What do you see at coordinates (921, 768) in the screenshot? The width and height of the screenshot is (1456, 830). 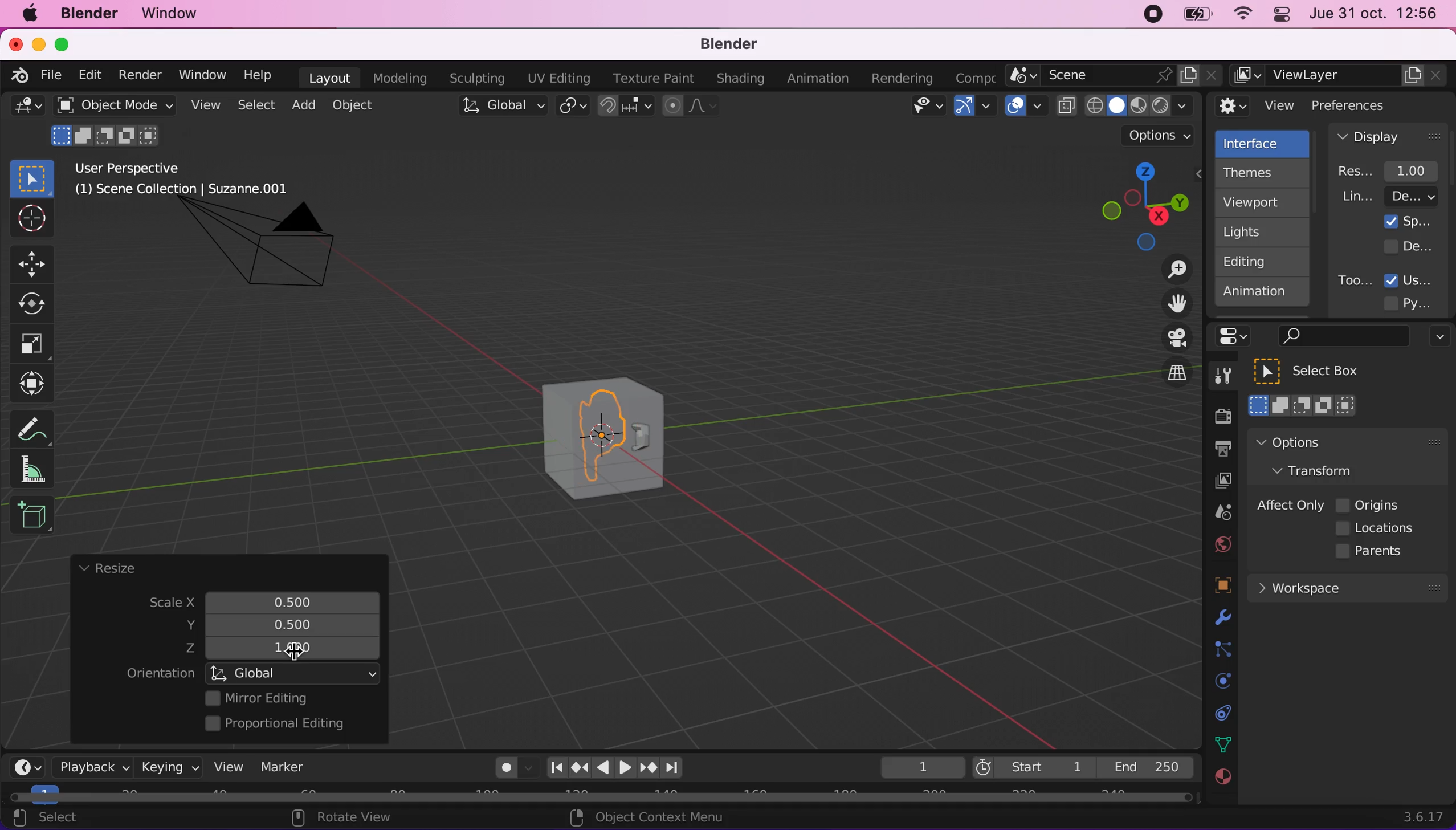 I see `keyframe` at bounding box center [921, 768].